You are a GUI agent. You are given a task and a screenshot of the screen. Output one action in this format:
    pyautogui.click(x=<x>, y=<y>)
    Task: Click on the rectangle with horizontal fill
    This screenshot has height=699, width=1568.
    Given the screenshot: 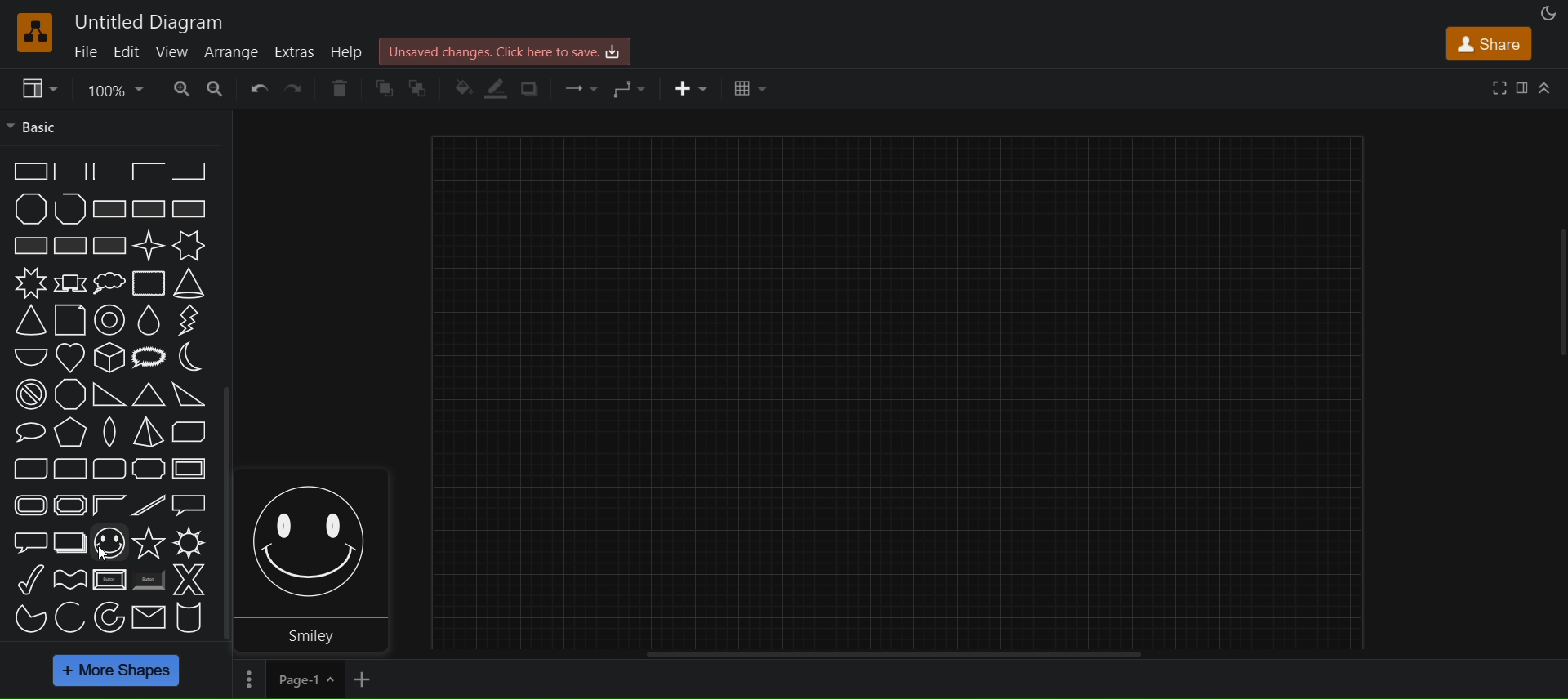 What is the action you would take?
    pyautogui.click(x=191, y=207)
    